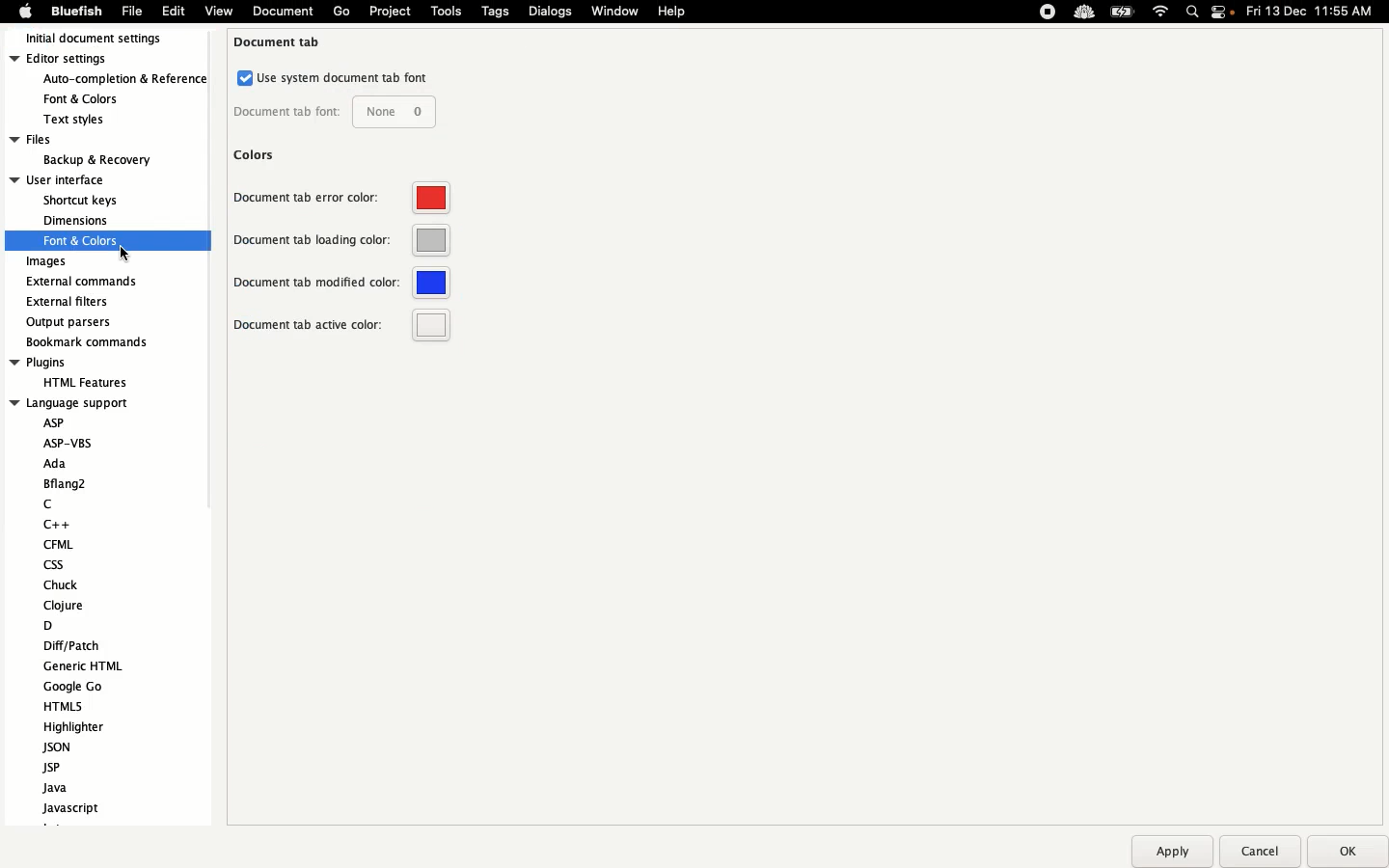  Describe the element at coordinates (332, 78) in the screenshot. I see `use system documents tab font` at that location.